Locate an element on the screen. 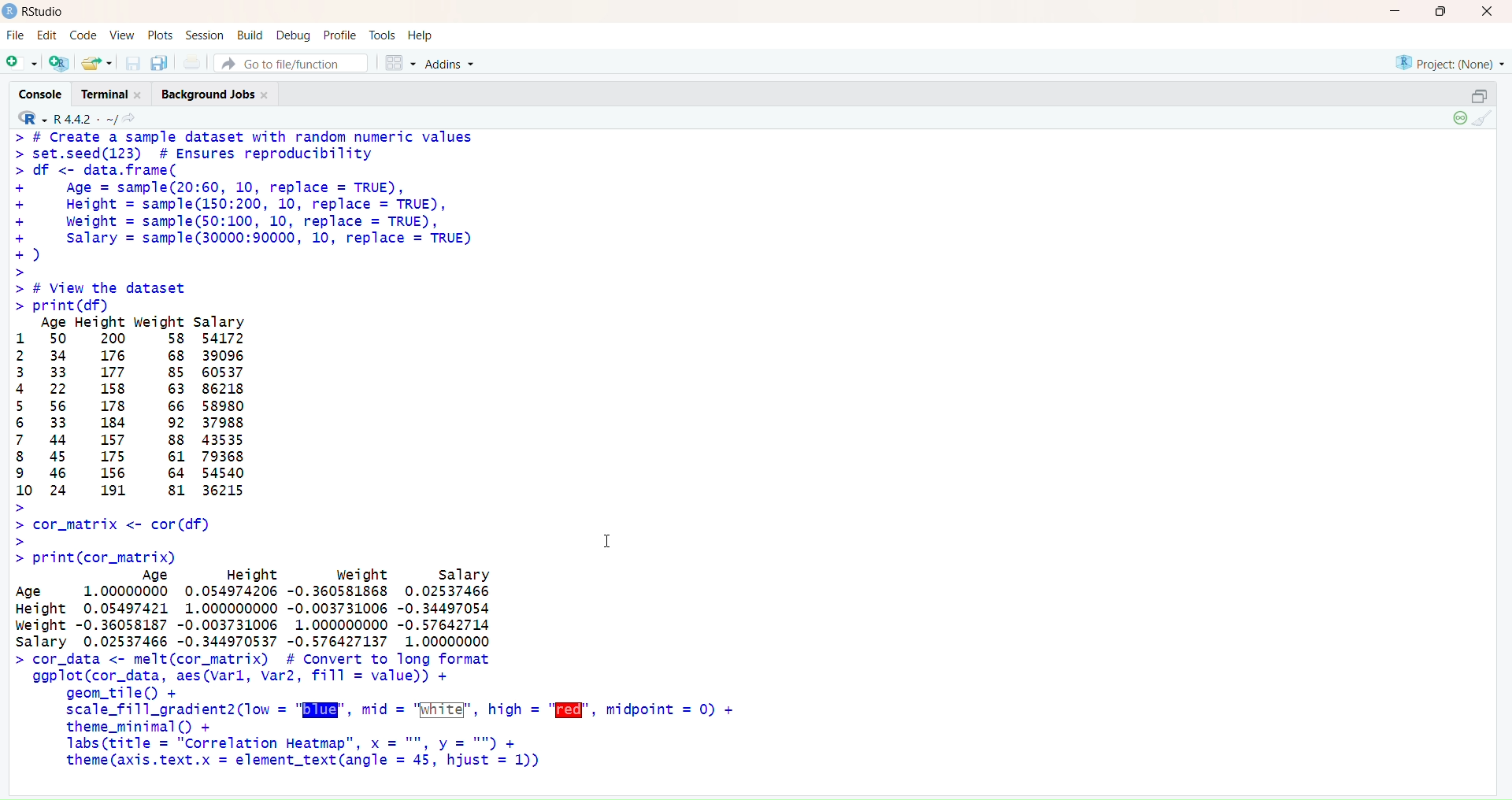 Image resolution: width=1512 pixels, height=800 pixels. Profile is located at coordinates (341, 35).